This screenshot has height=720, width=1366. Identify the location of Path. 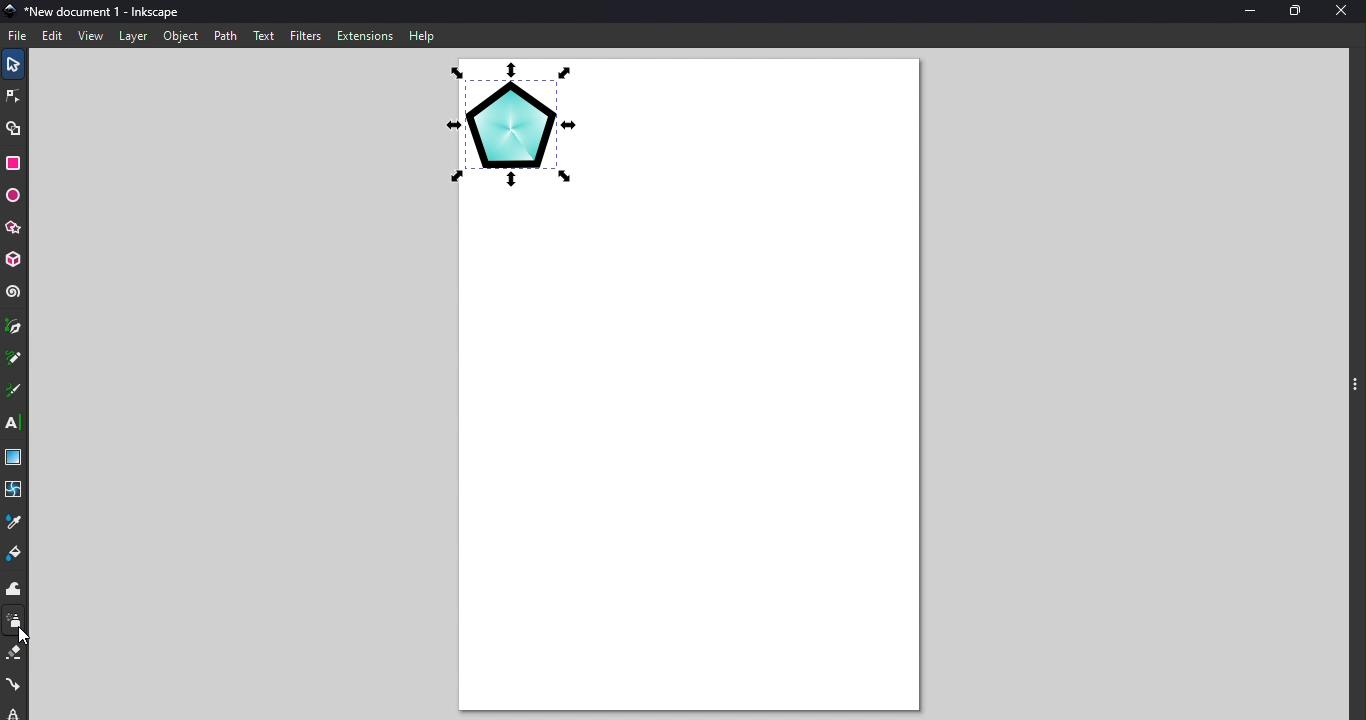
(226, 35).